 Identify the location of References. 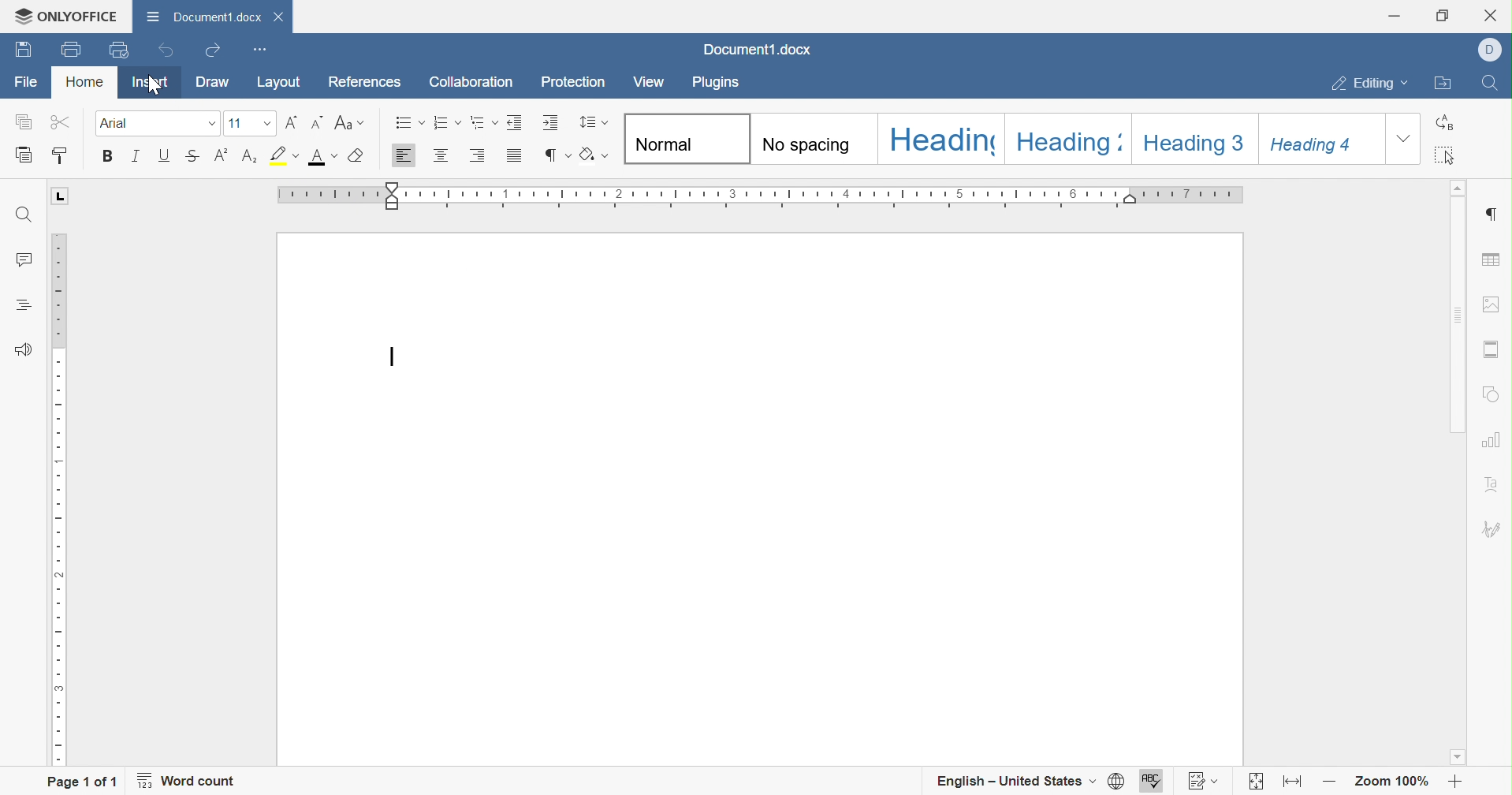
(370, 85).